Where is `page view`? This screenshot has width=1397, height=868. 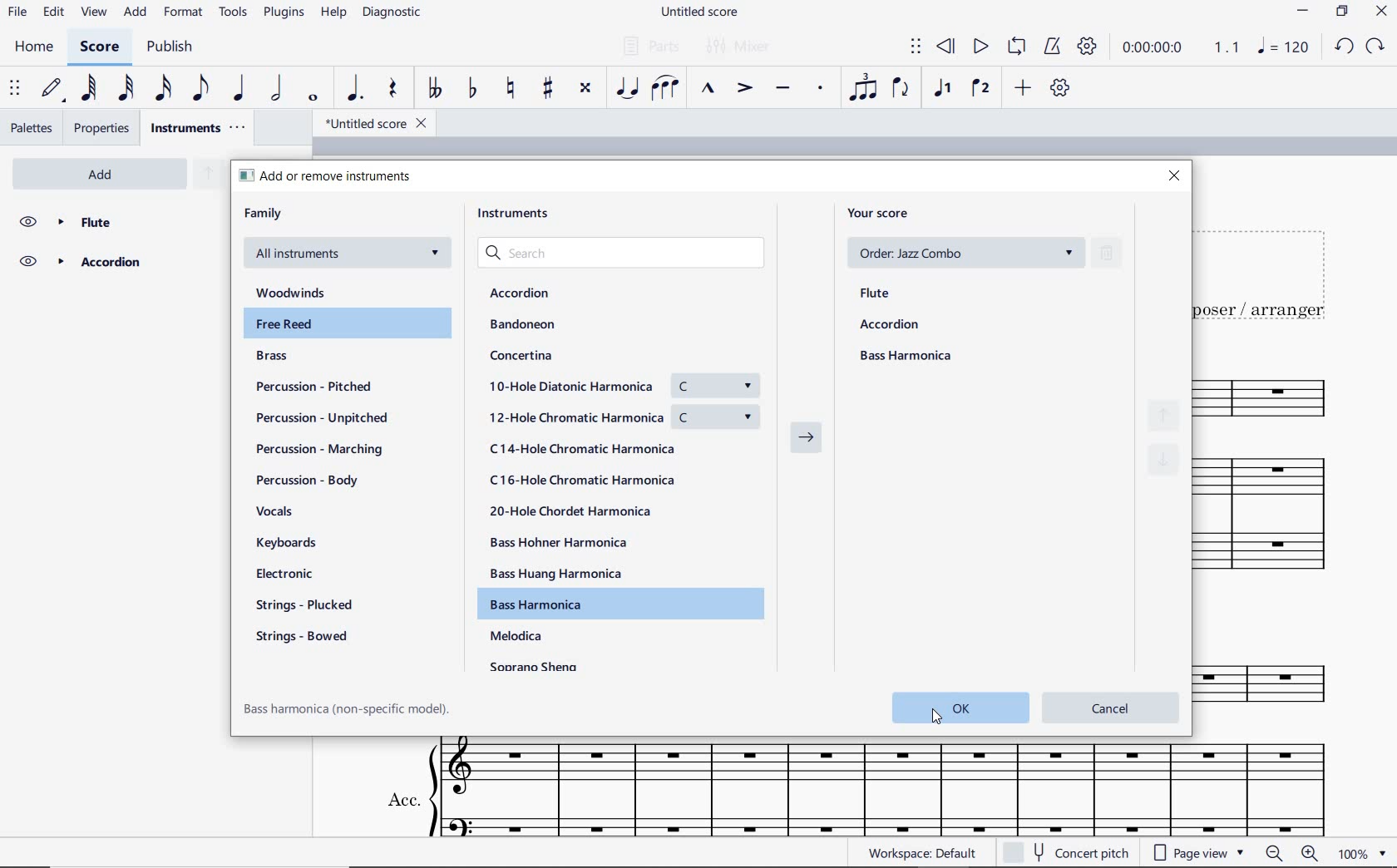
page view is located at coordinates (1199, 854).